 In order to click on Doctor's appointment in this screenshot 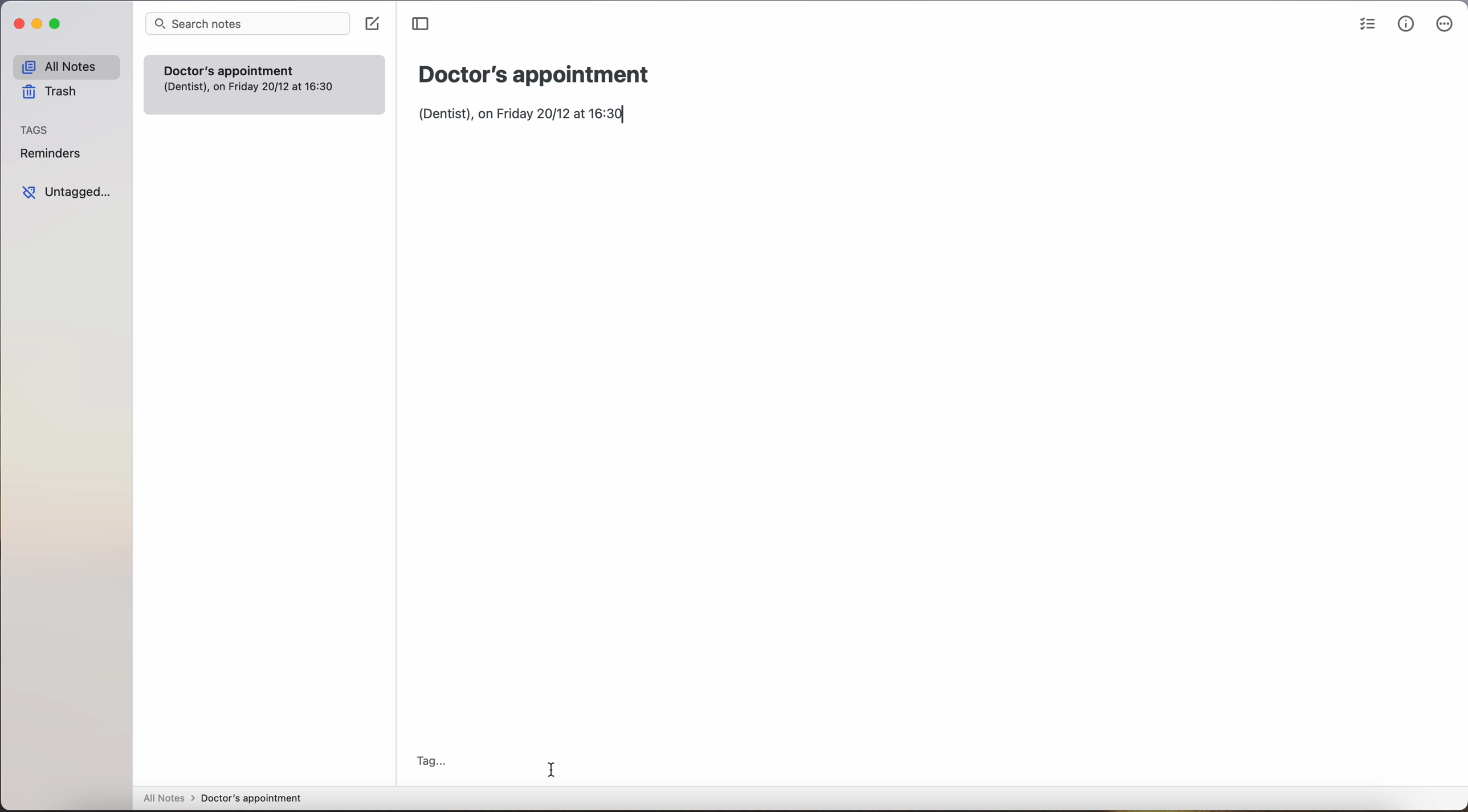, I will do `click(535, 75)`.